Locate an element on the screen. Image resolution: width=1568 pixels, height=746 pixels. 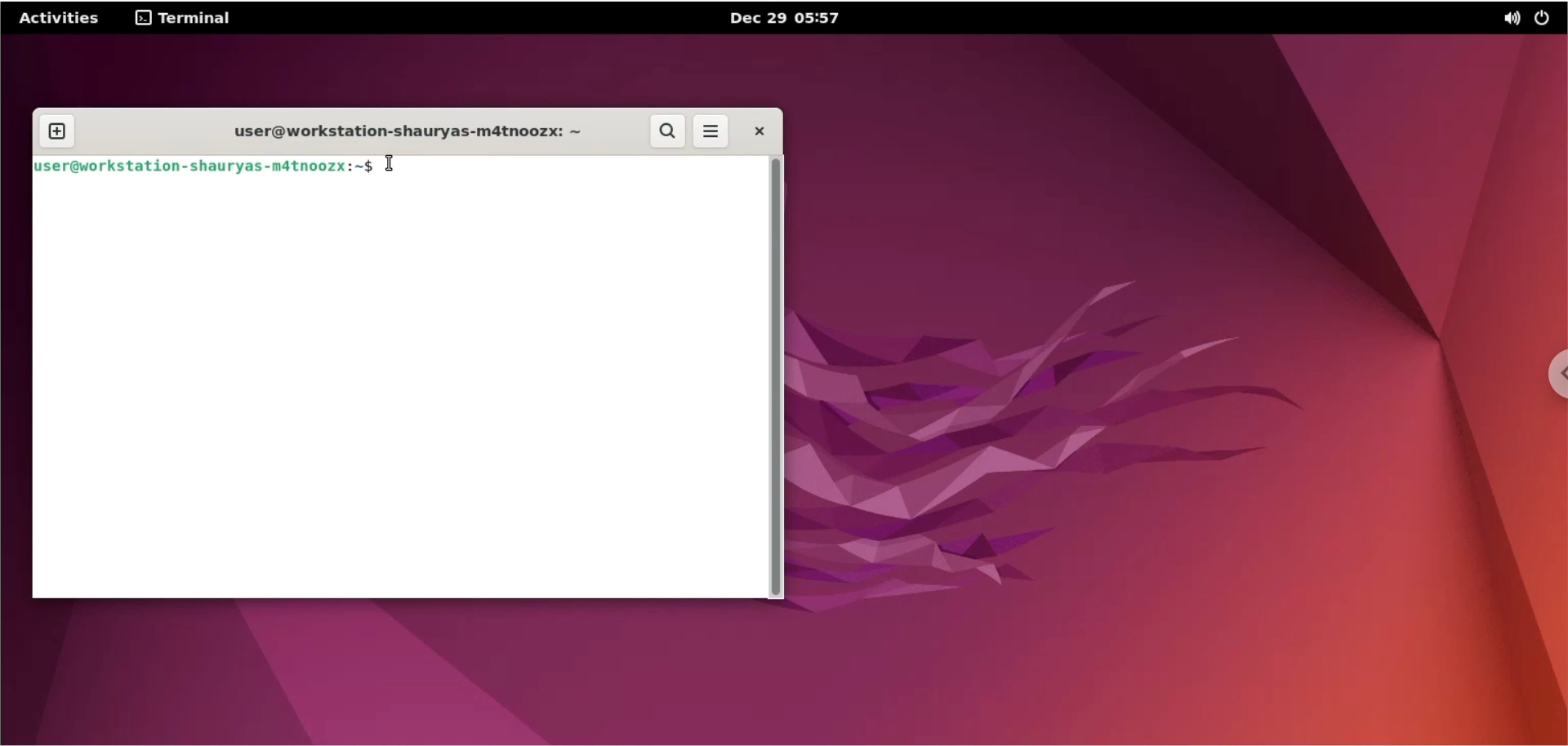
search  is located at coordinates (668, 131).